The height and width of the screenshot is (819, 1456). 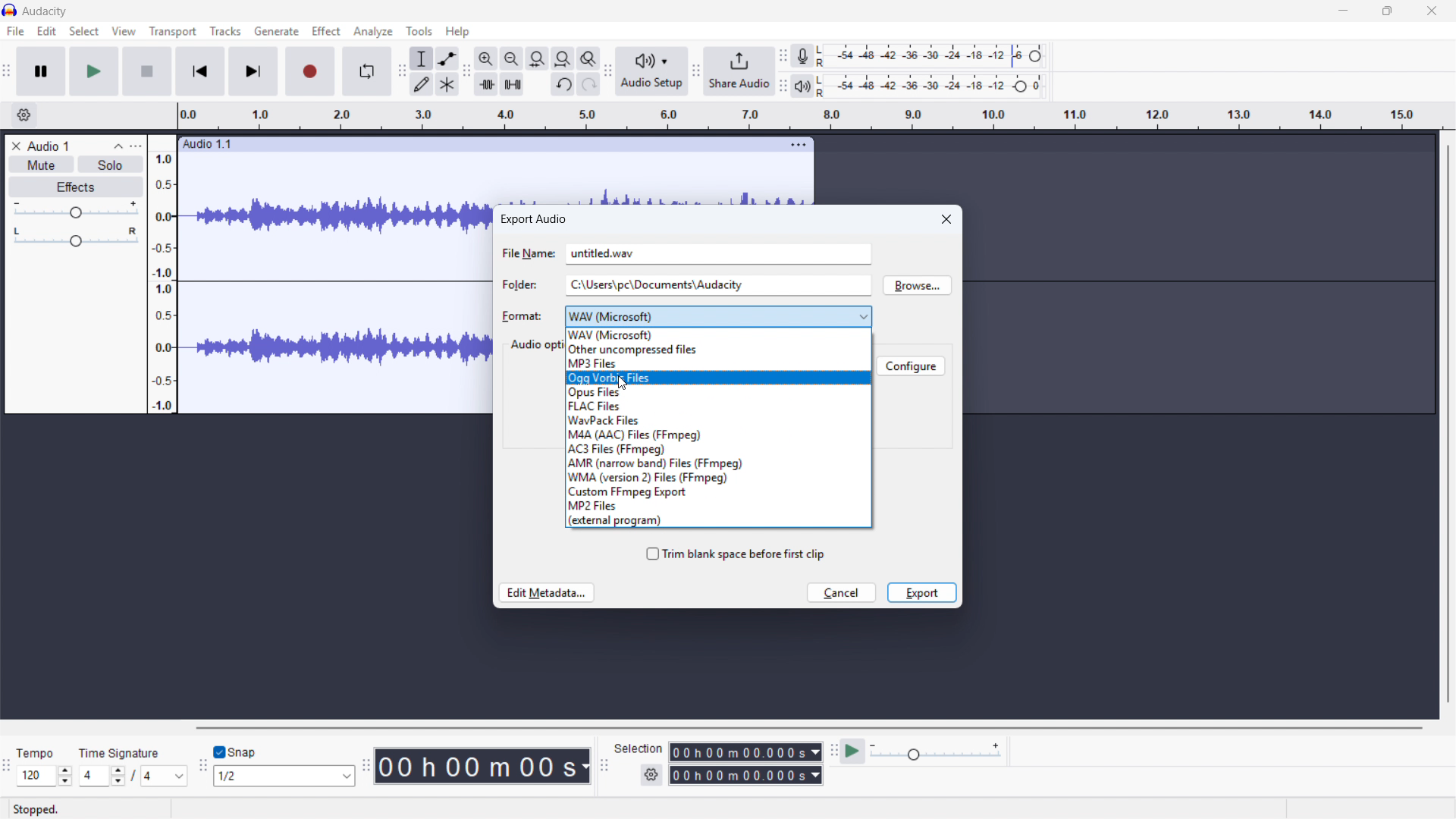 What do you see at coordinates (623, 381) in the screenshot?
I see `Cursor ` at bounding box center [623, 381].